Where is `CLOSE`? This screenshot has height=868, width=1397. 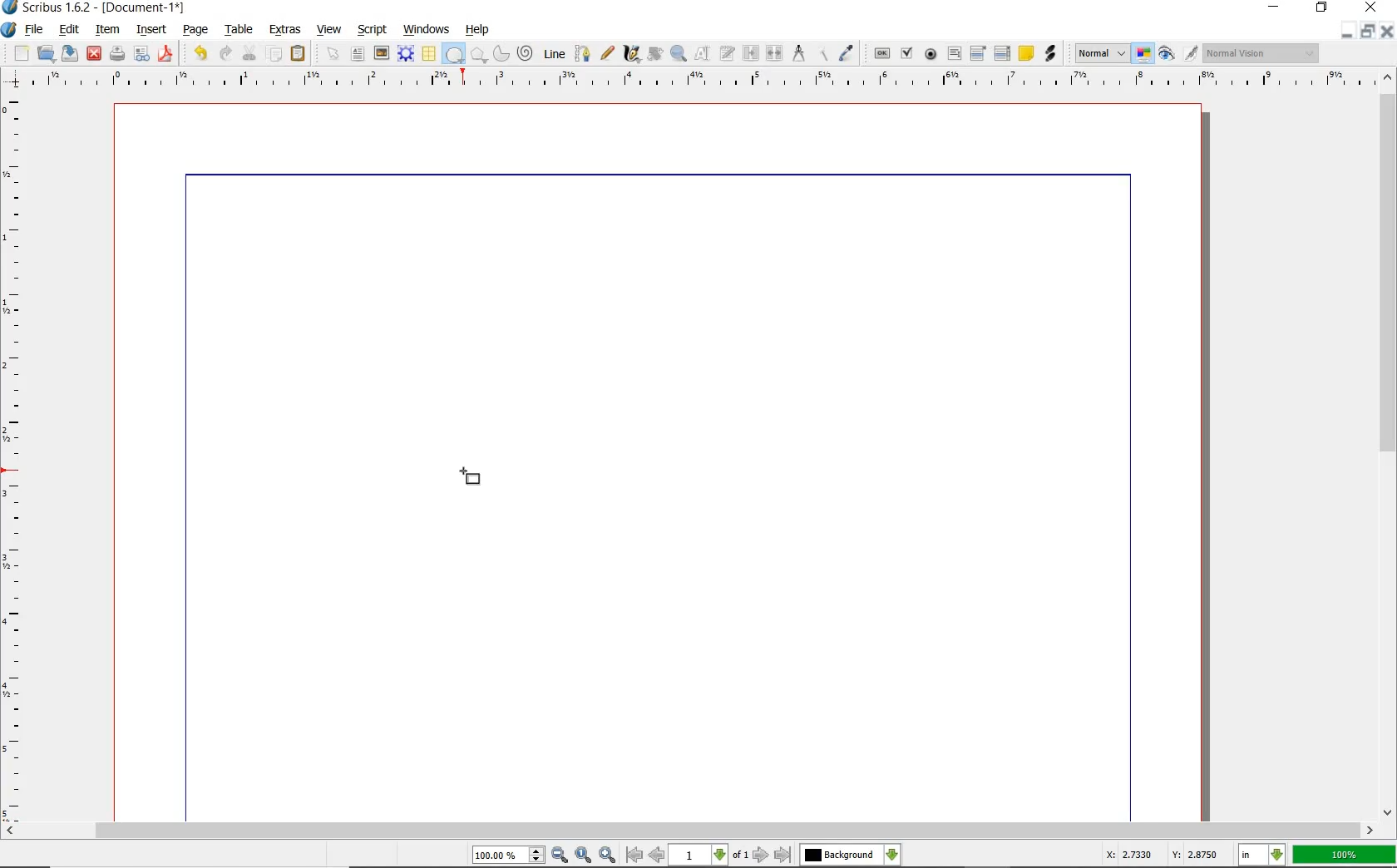 CLOSE is located at coordinates (94, 54).